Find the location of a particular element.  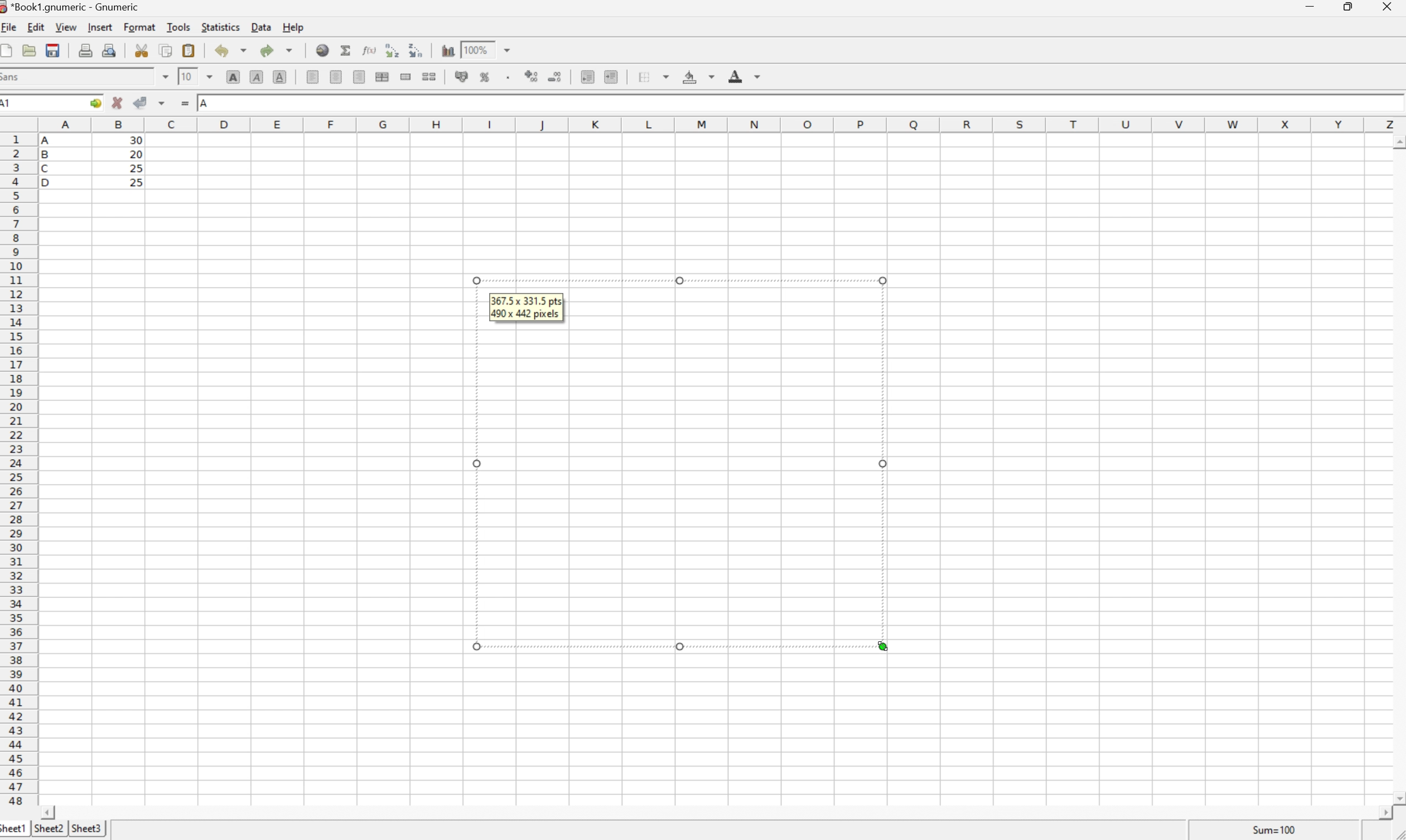

Merge a range of cells is located at coordinates (406, 78).